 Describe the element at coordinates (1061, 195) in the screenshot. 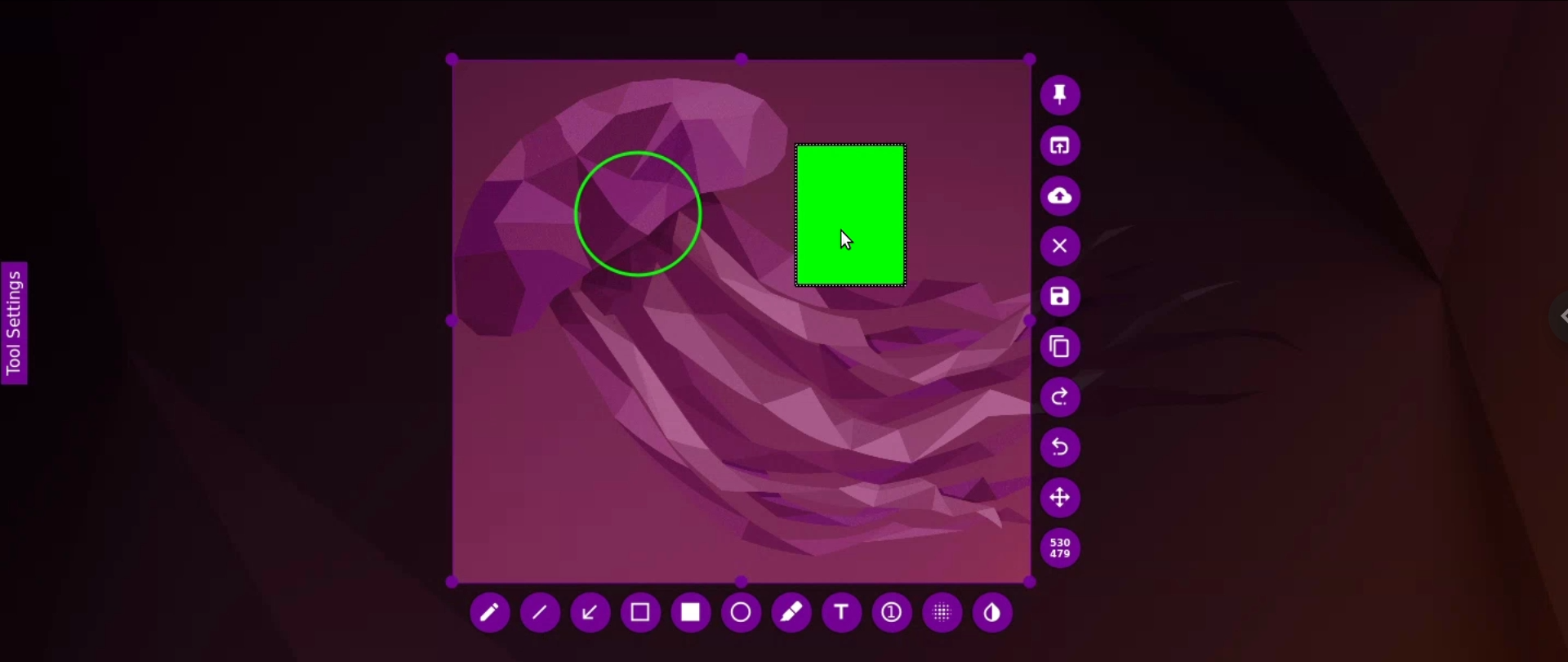

I see `upload` at that location.